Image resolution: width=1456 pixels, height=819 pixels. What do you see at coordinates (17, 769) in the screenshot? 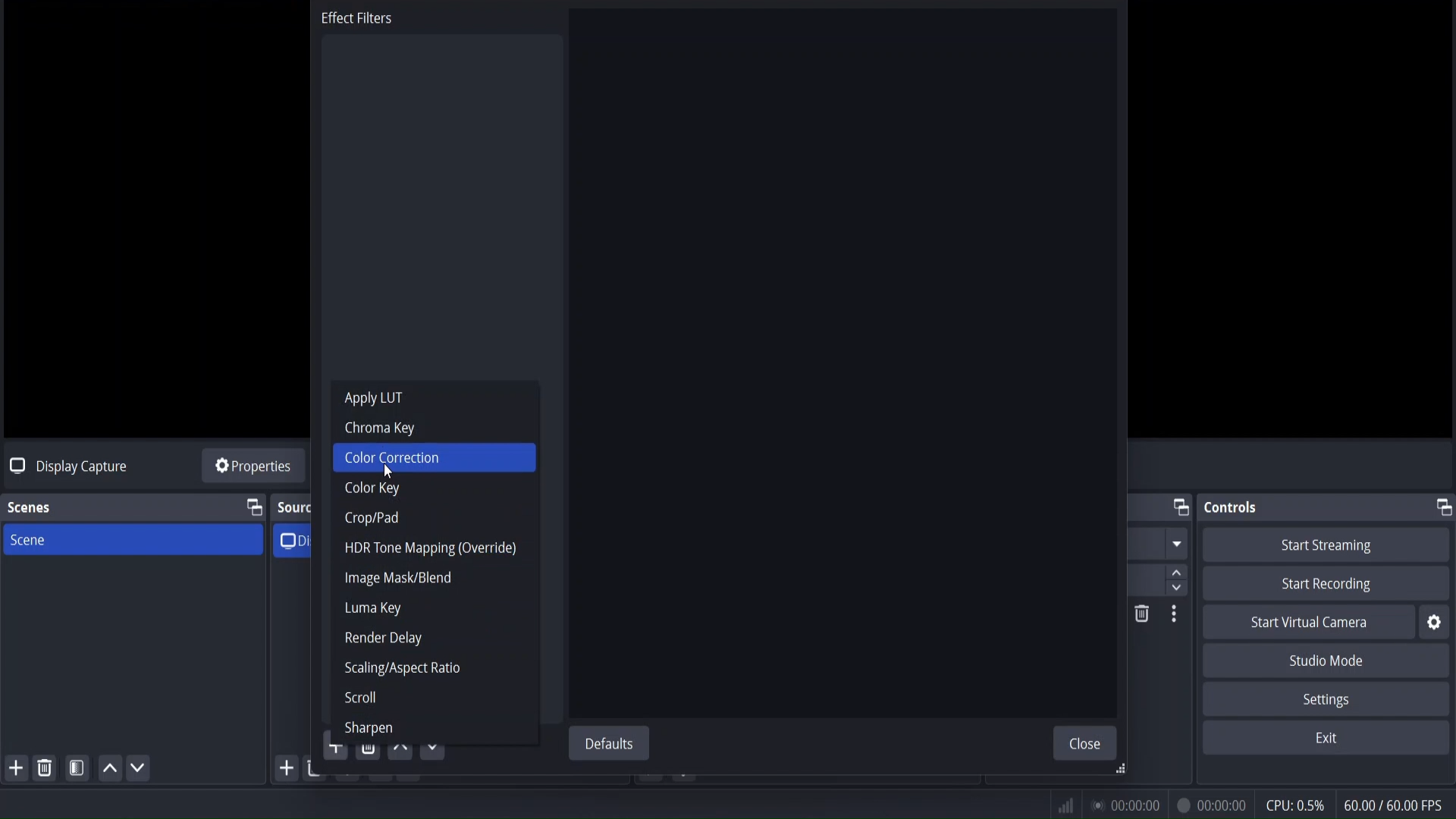
I see `add scene` at bounding box center [17, 769].